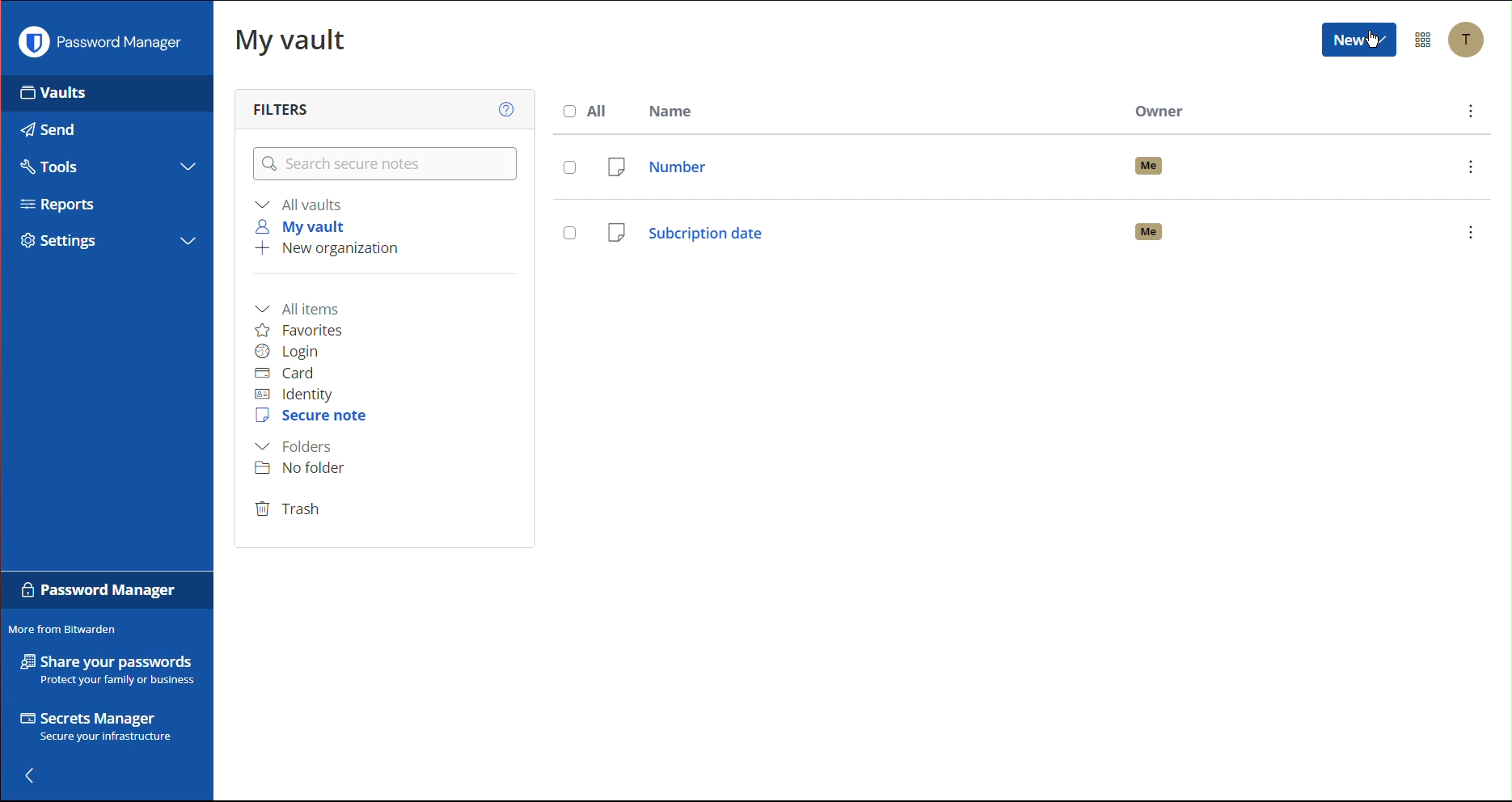  I want to click on All items, so click(305, 306).